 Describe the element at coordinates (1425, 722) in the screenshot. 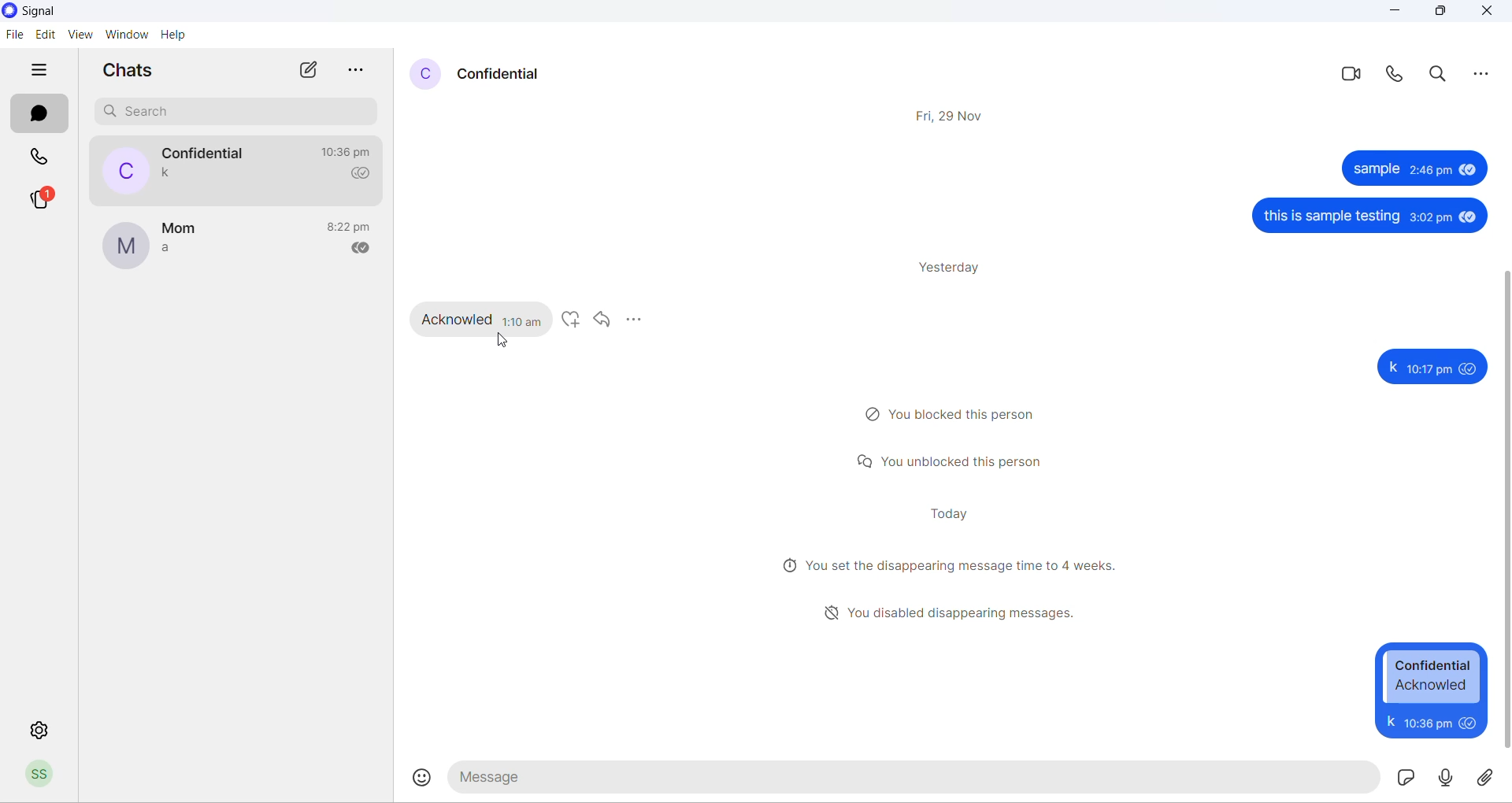

I see `10:36 pm` at that location.